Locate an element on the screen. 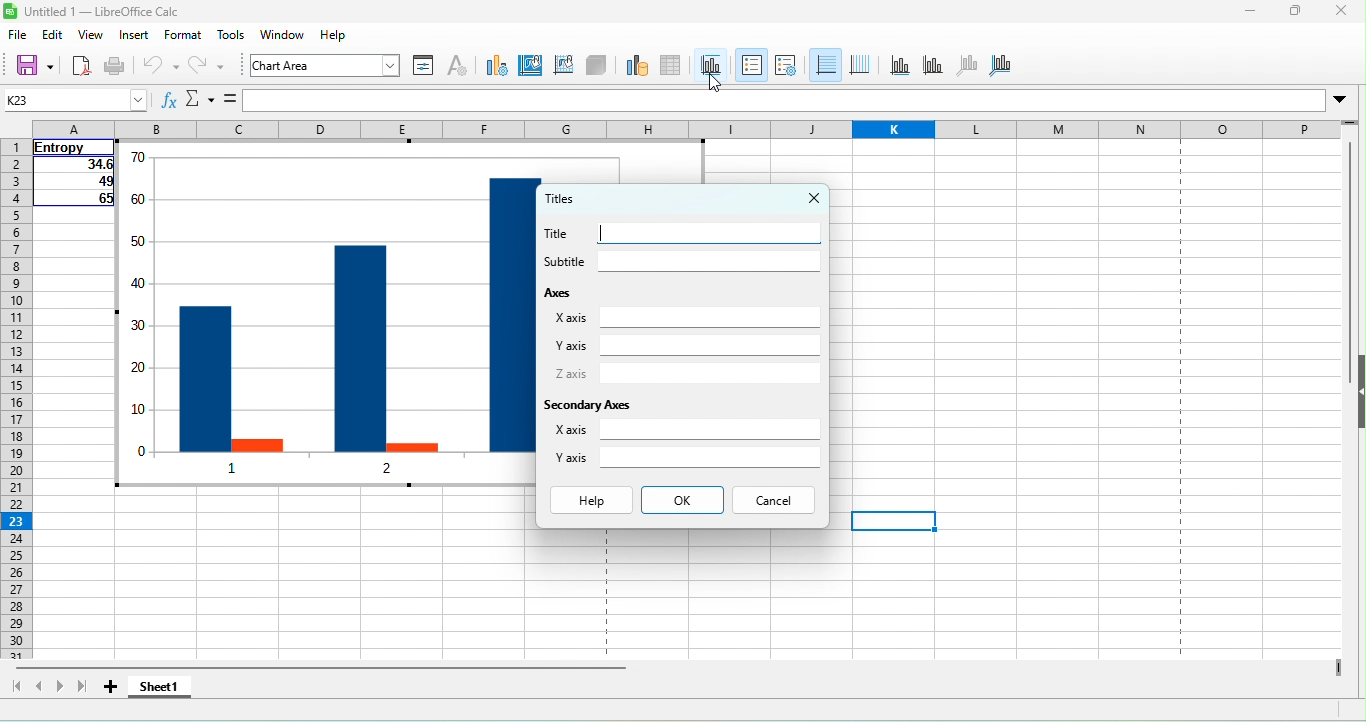 The width and height of the screenshot is (1366, 722). undo is located at coordinates (162, 68).